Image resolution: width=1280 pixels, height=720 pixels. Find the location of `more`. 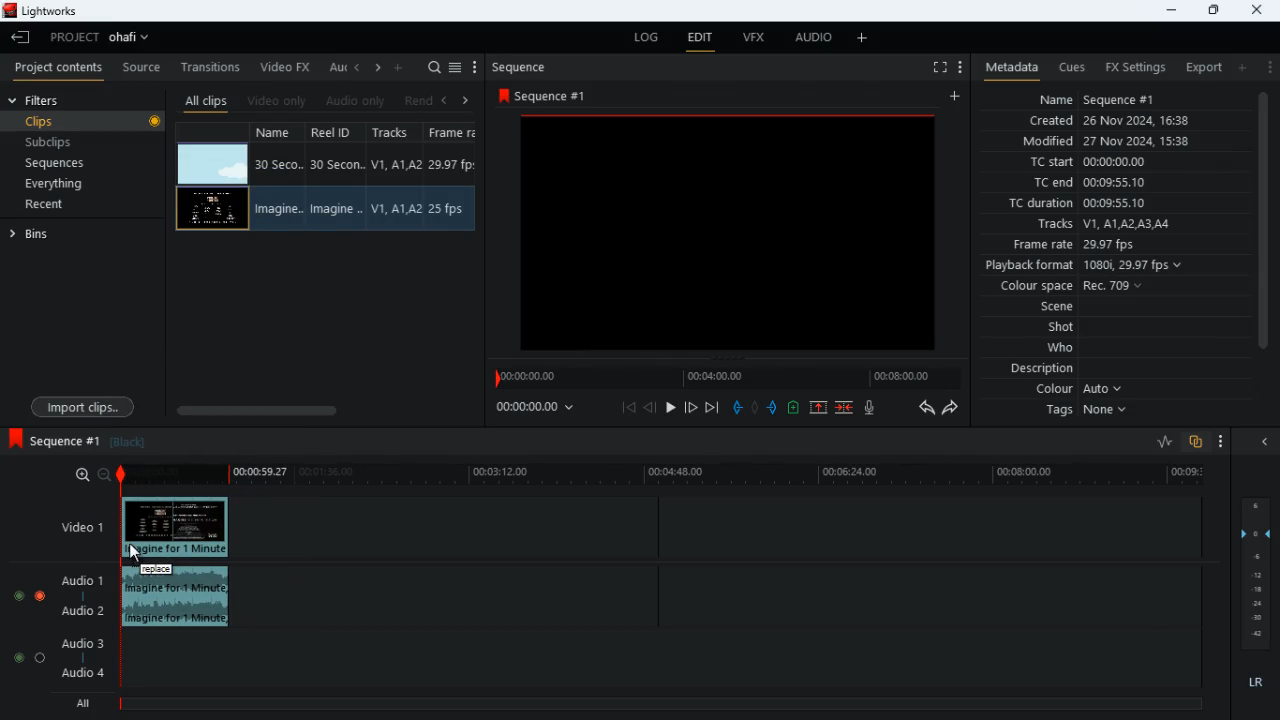

more is located at coordinates (1267, 66).